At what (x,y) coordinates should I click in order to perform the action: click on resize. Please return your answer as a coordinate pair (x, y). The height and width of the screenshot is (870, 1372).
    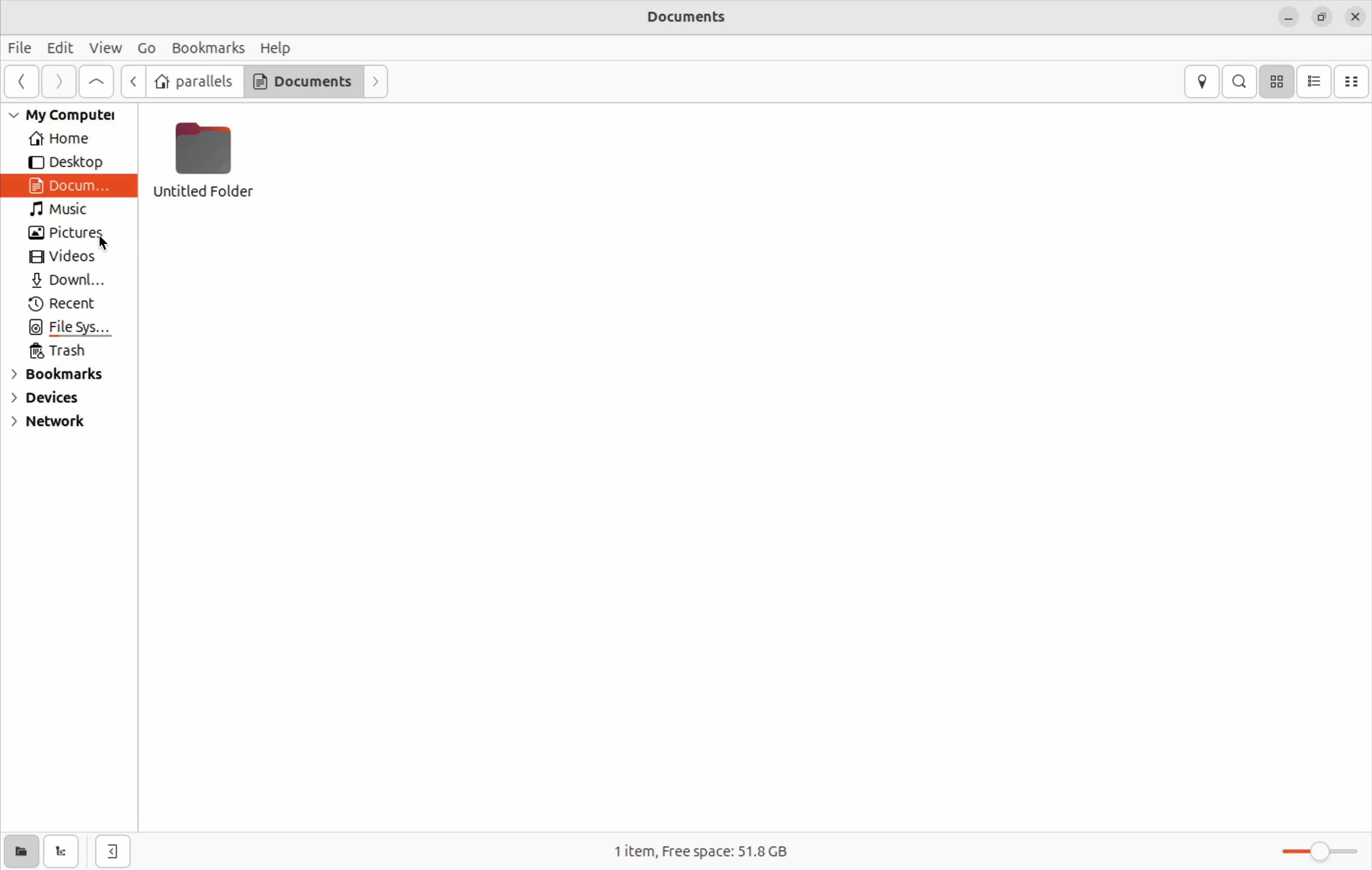
    Looking at the image, I should click on (1324, 18).